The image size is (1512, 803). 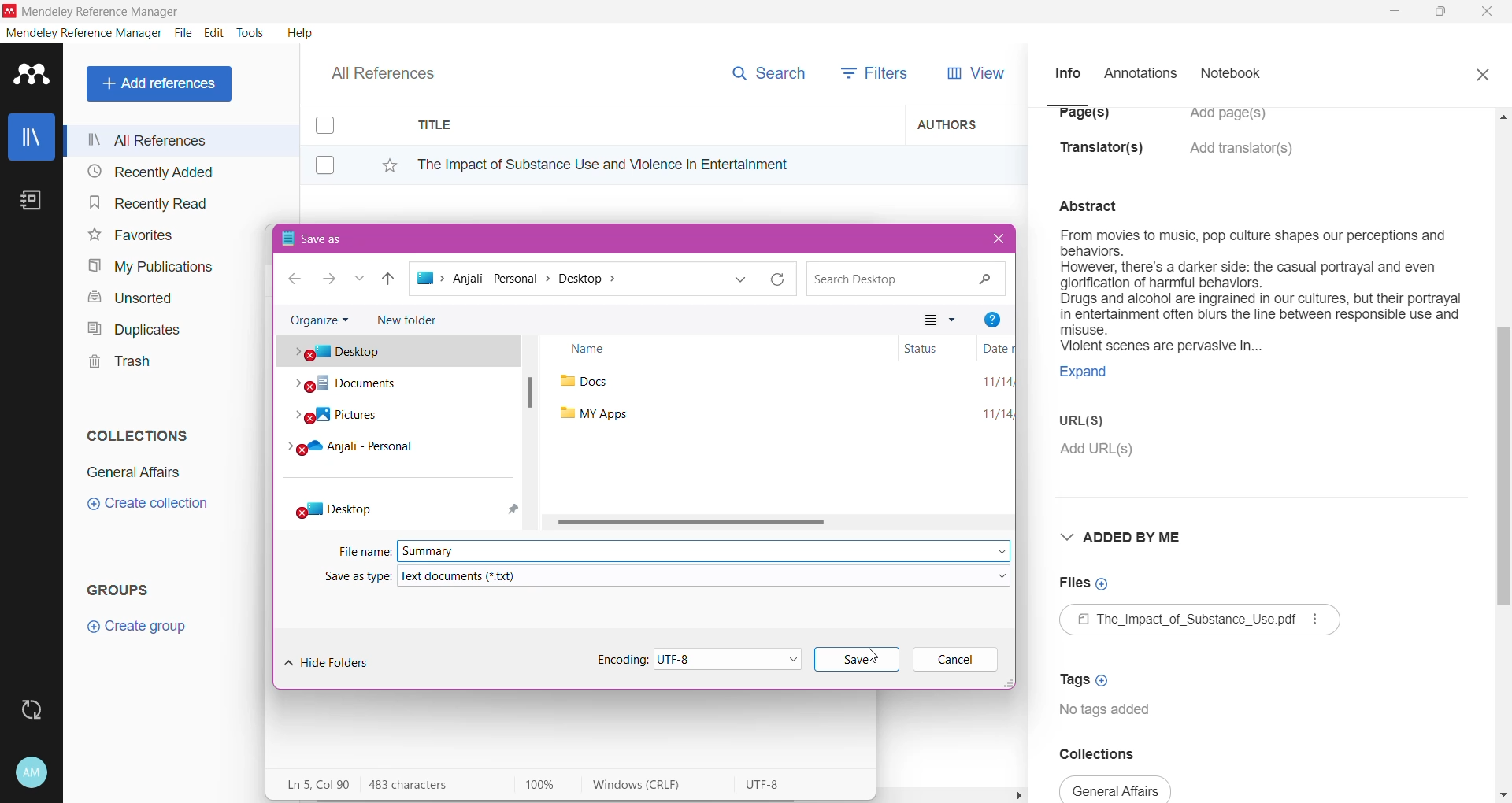 What do you see at coordinates (414, 322) in the screenshot?
I see `New Folder` at bounding box center [414, 322].